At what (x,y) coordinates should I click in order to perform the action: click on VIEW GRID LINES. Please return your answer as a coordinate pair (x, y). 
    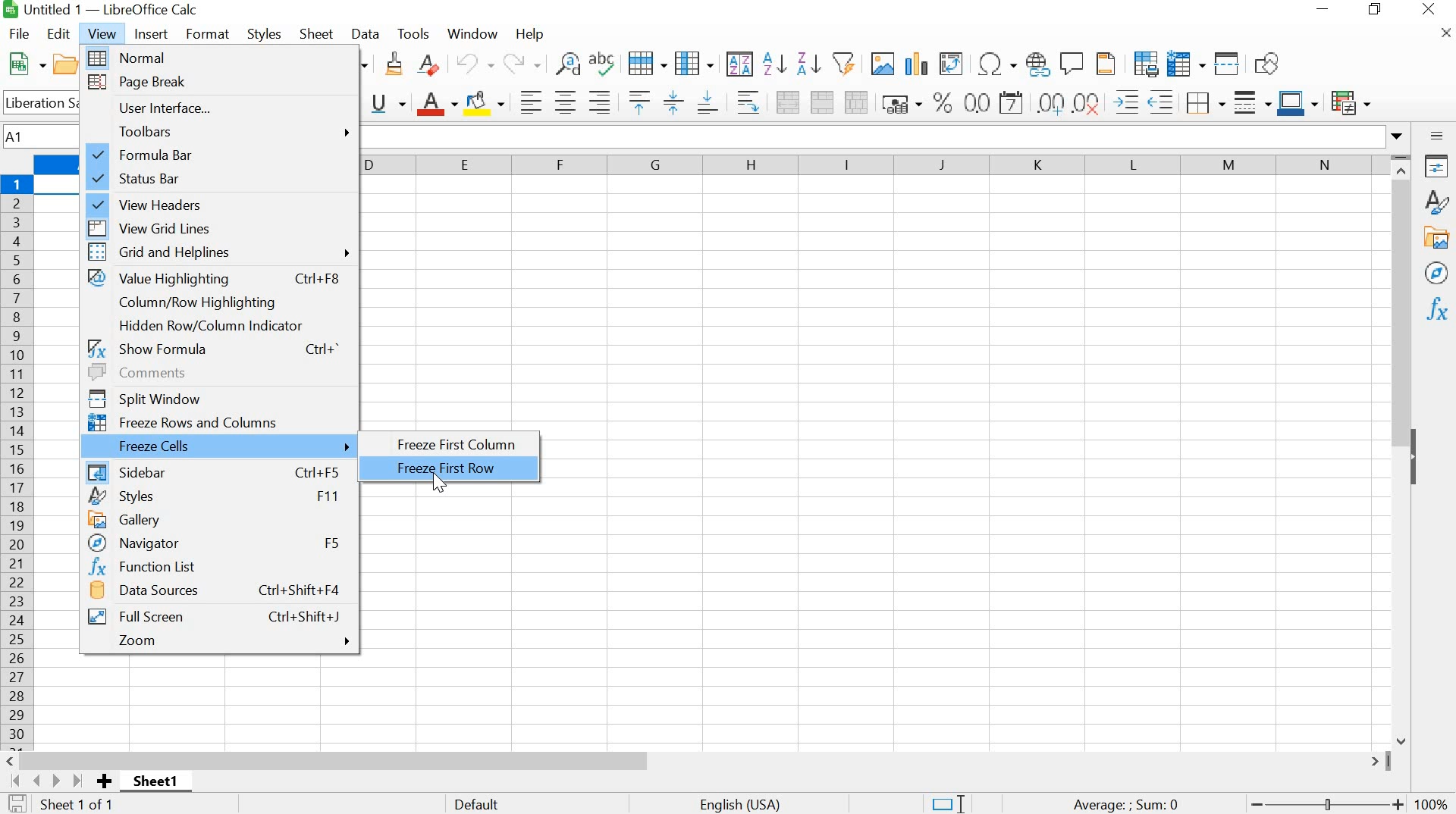
    Looking at the image, I should click on (222, 226).